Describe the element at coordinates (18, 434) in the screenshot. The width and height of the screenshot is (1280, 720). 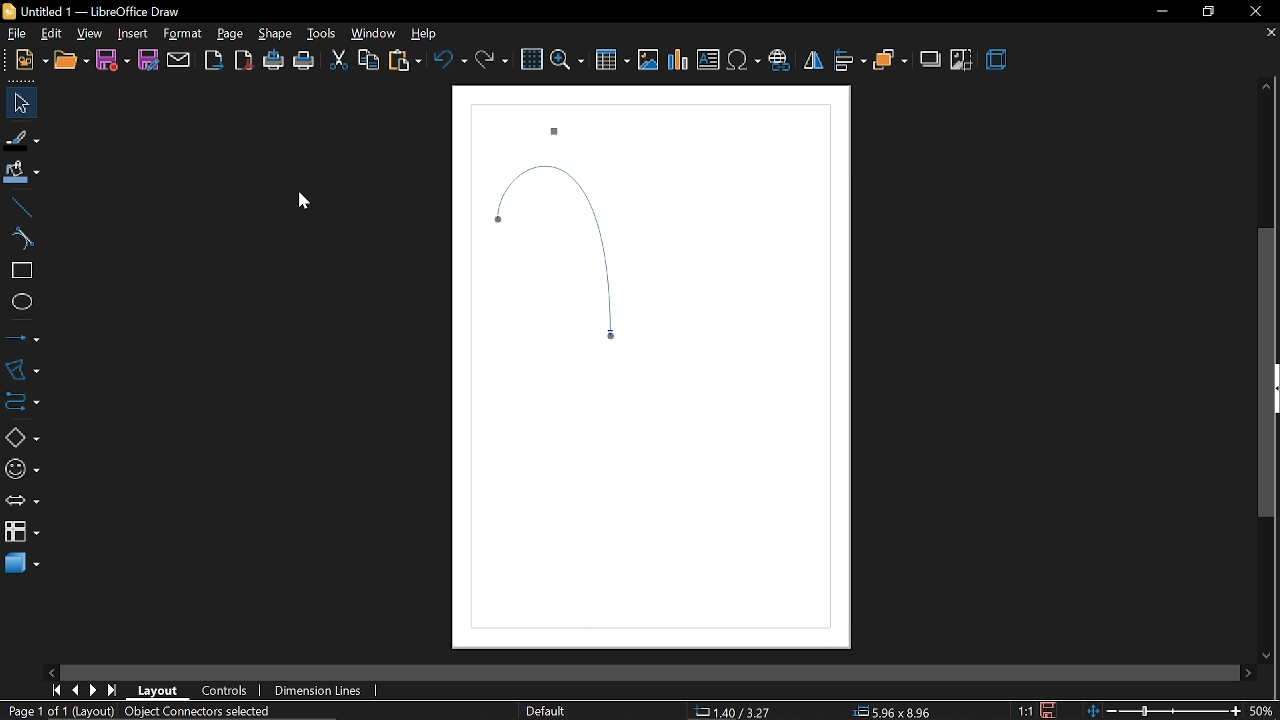
I see `basic shapes` at that location.